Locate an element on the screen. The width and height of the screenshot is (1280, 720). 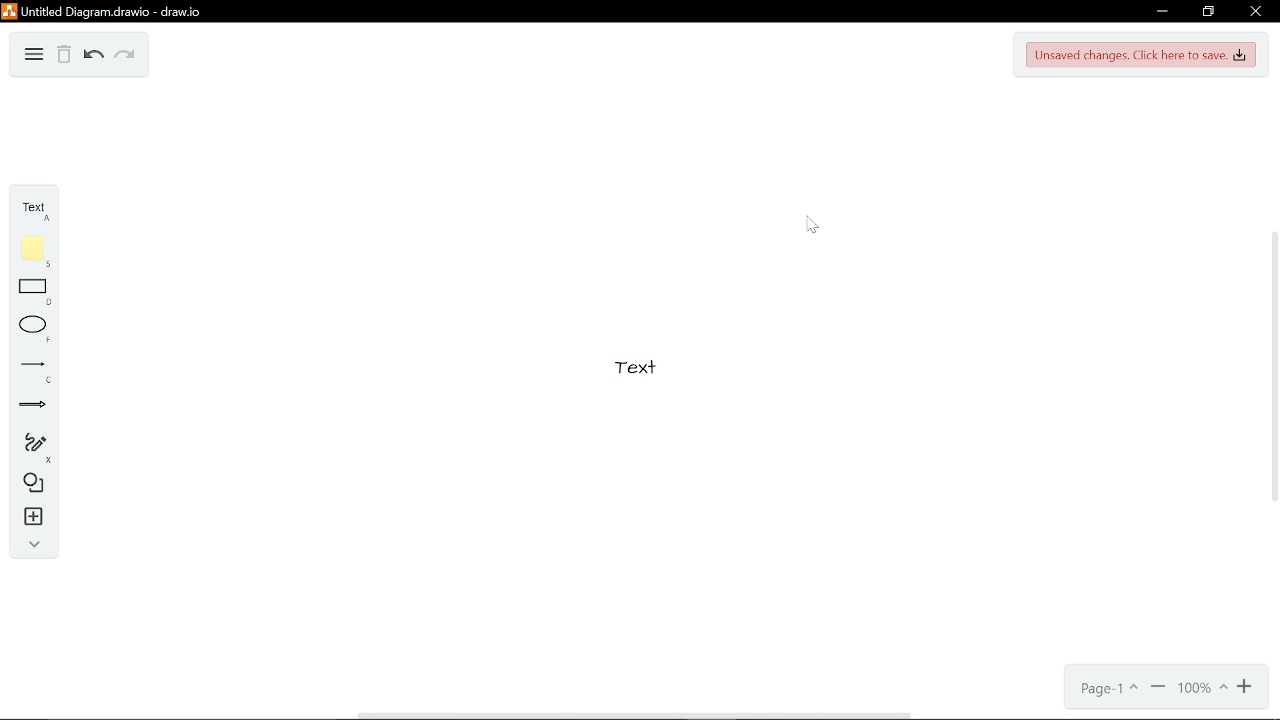
Zoom in is located at coordinates (1247, 687).